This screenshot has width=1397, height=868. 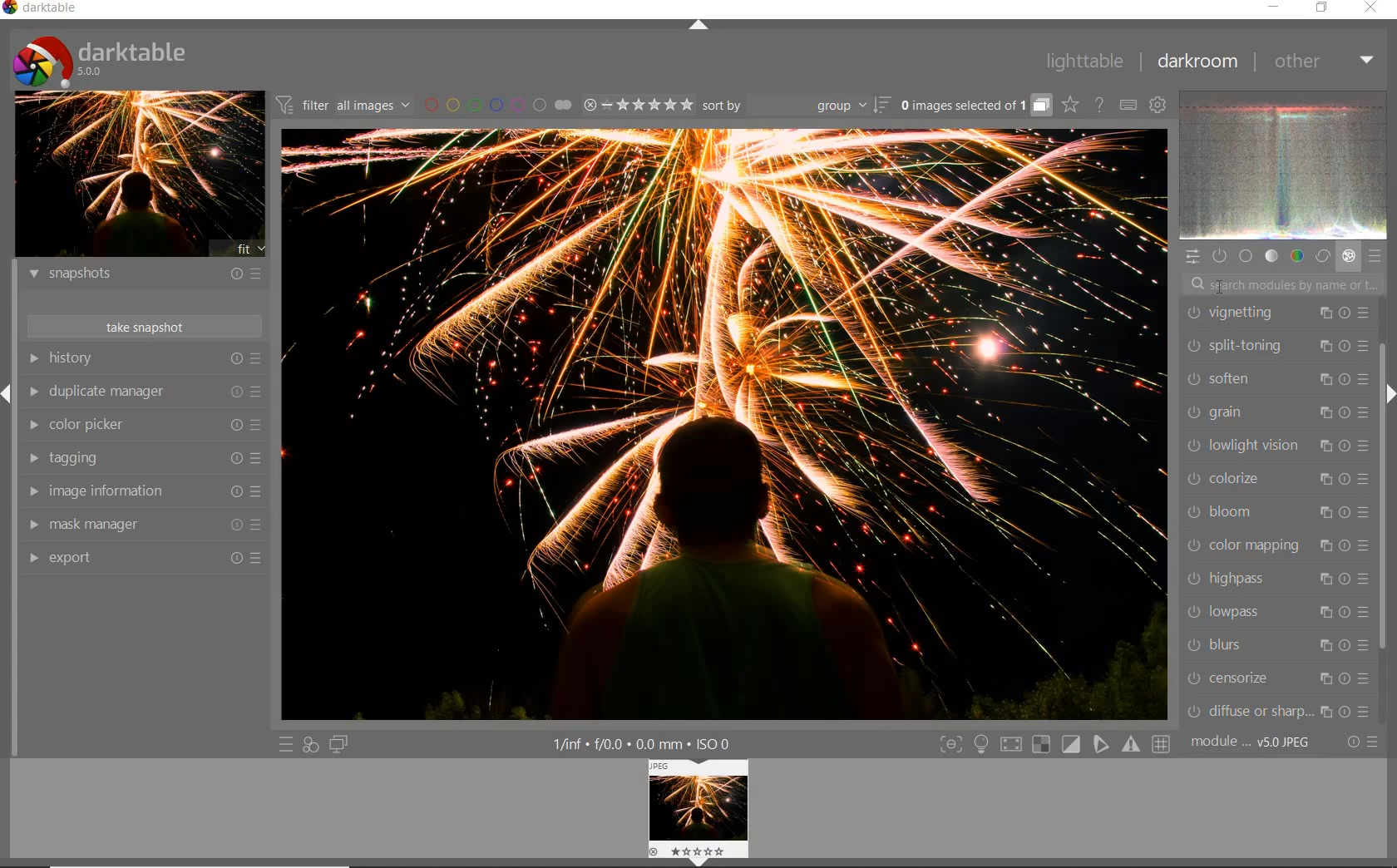 I want to click on Toggle modes, so click(x=1054, y=743).